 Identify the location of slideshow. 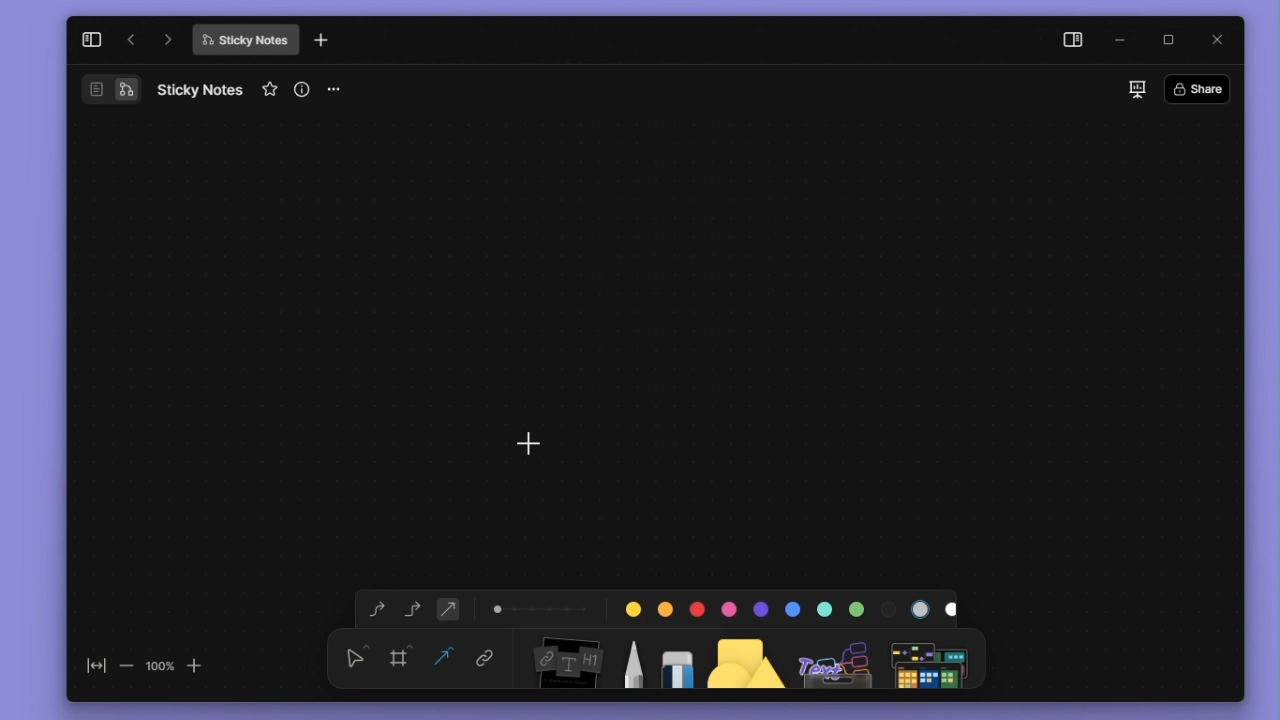
(1136, 89).